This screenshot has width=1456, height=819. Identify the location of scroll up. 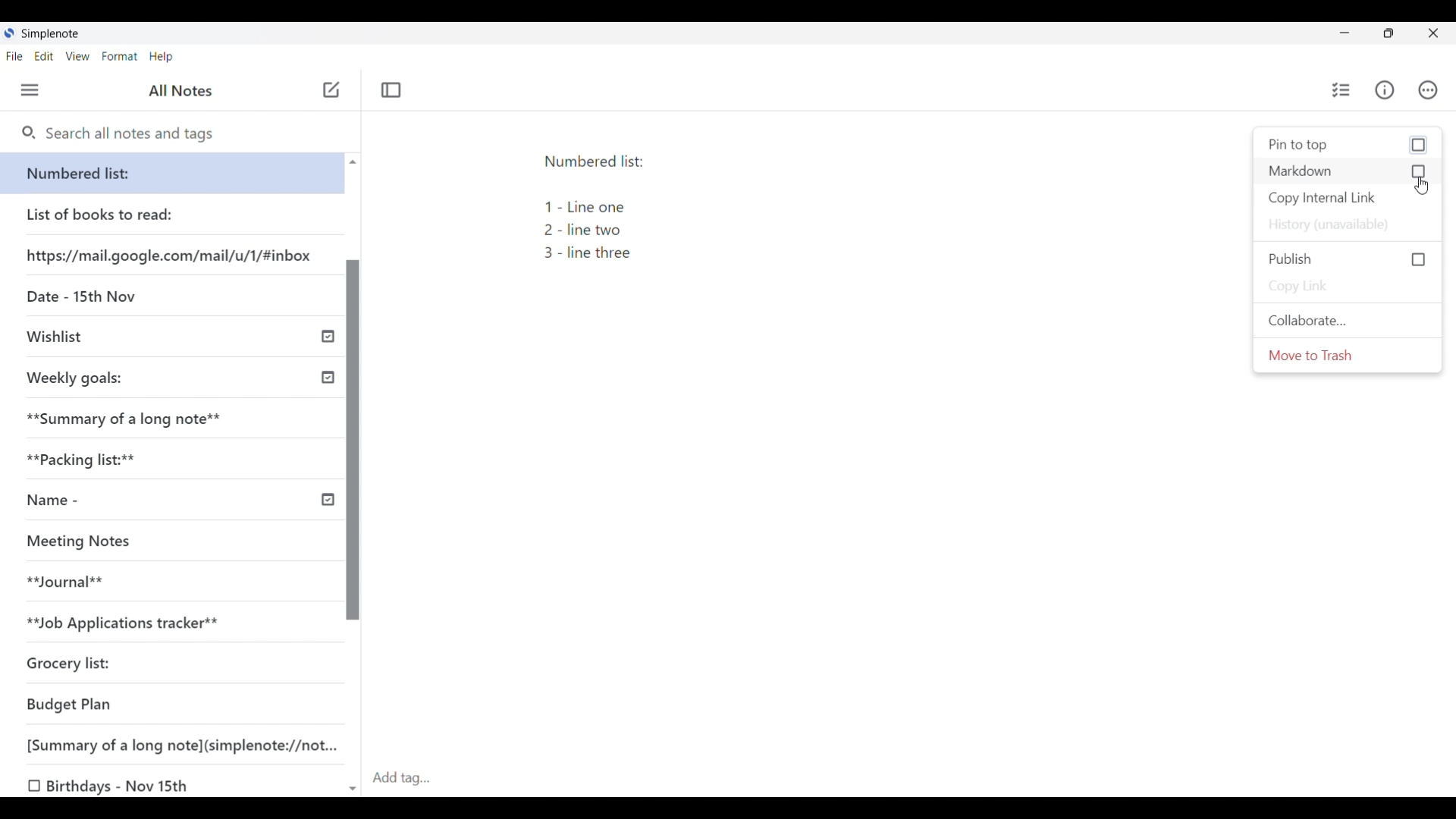
(353, 162).